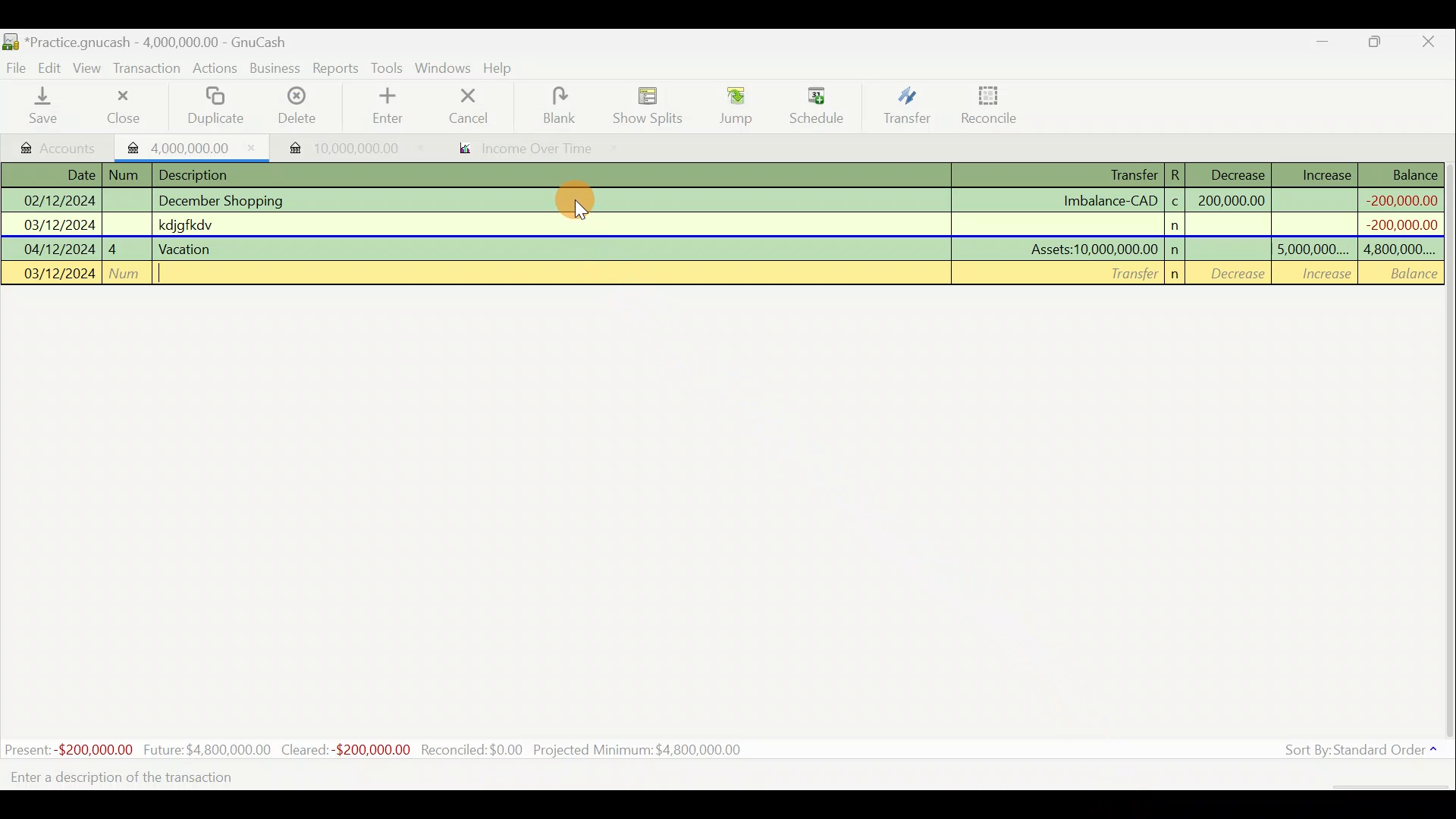  I want to click on Transaction, so click(148, 68).